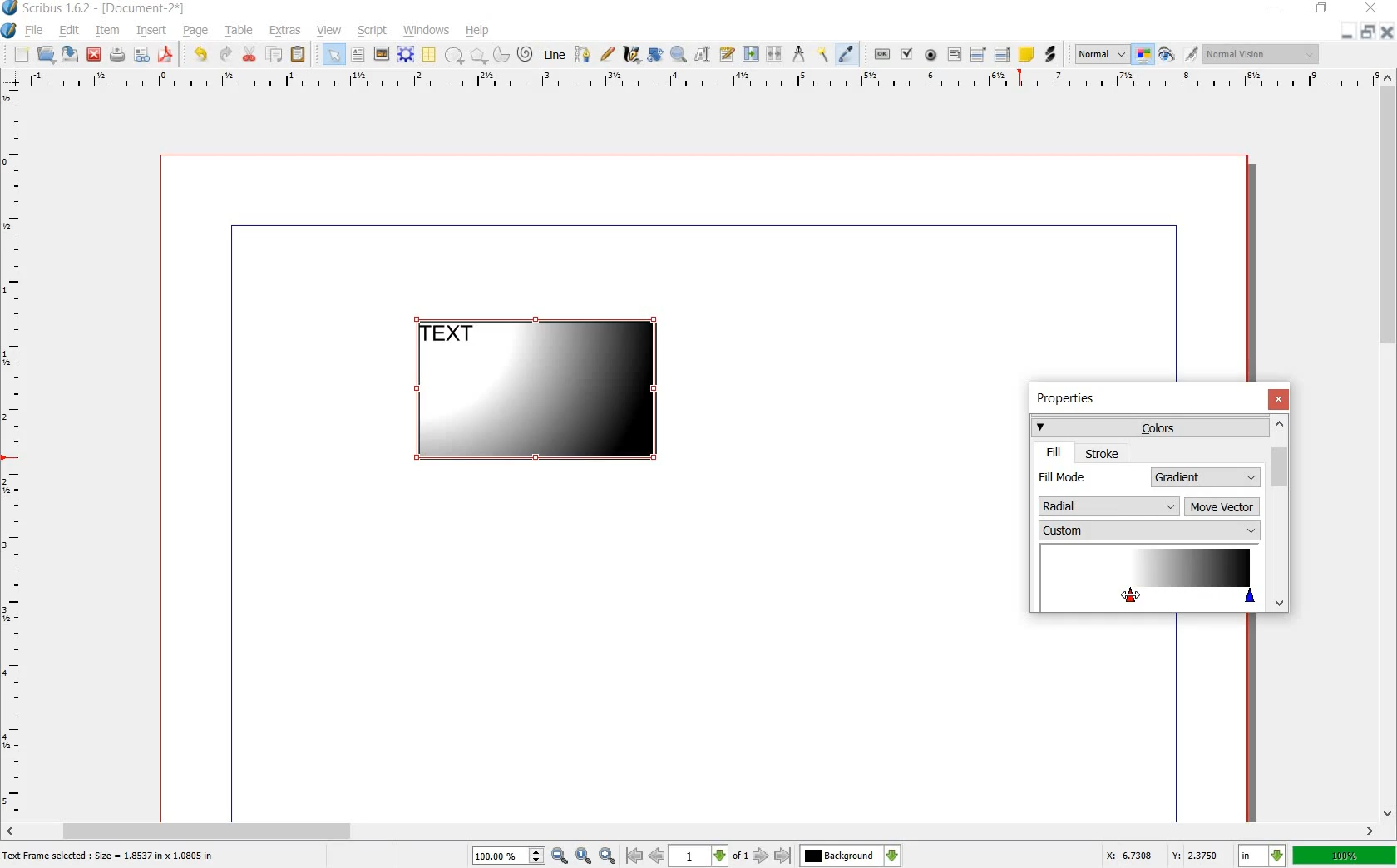 Image resolution: width=1397 pixels, height=868 pixels. Describe the element at coordinates (22, 55) in the screenshot. I see `new` at that location.